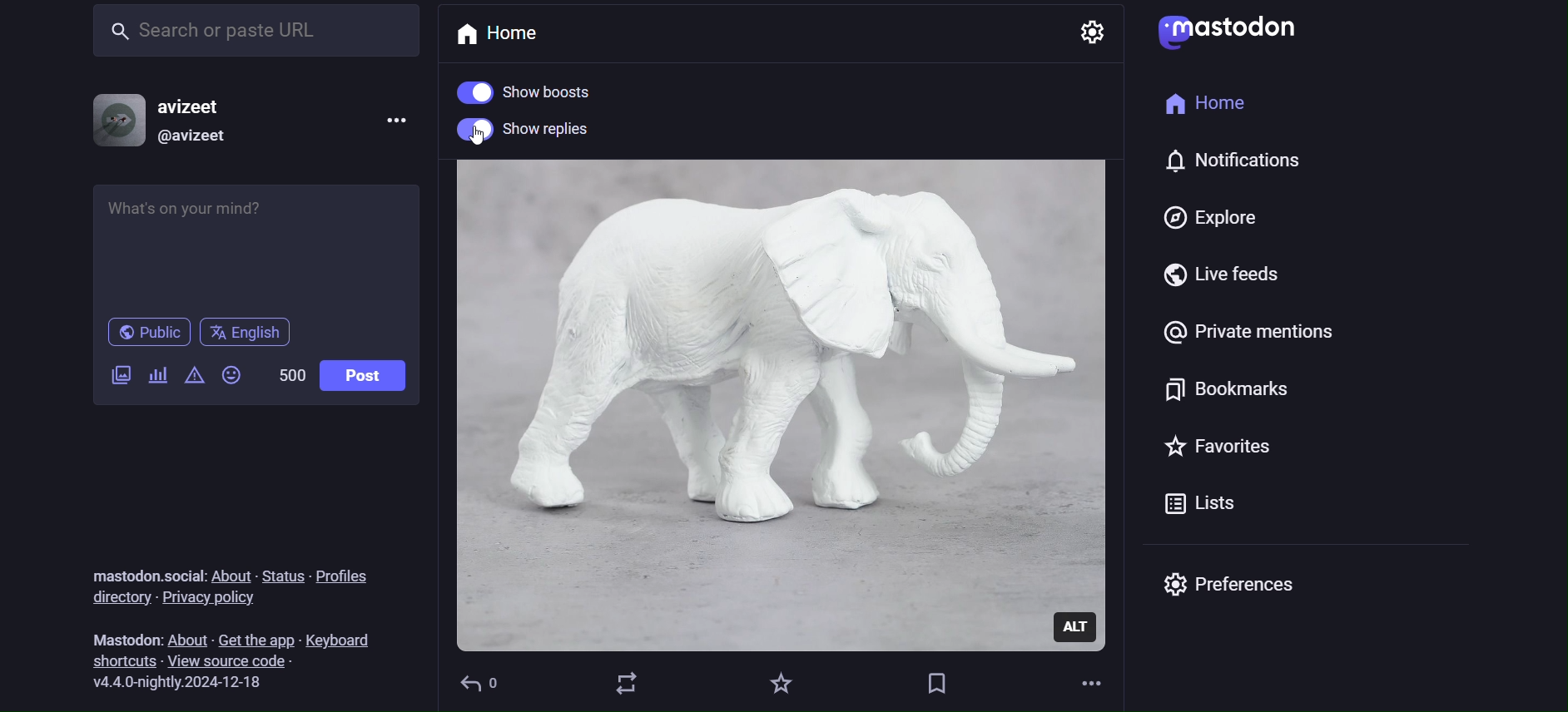 Image resolution: width=1568 pixels, height=712 pixels. I want to click on show boost enabled, so click(541, 91).